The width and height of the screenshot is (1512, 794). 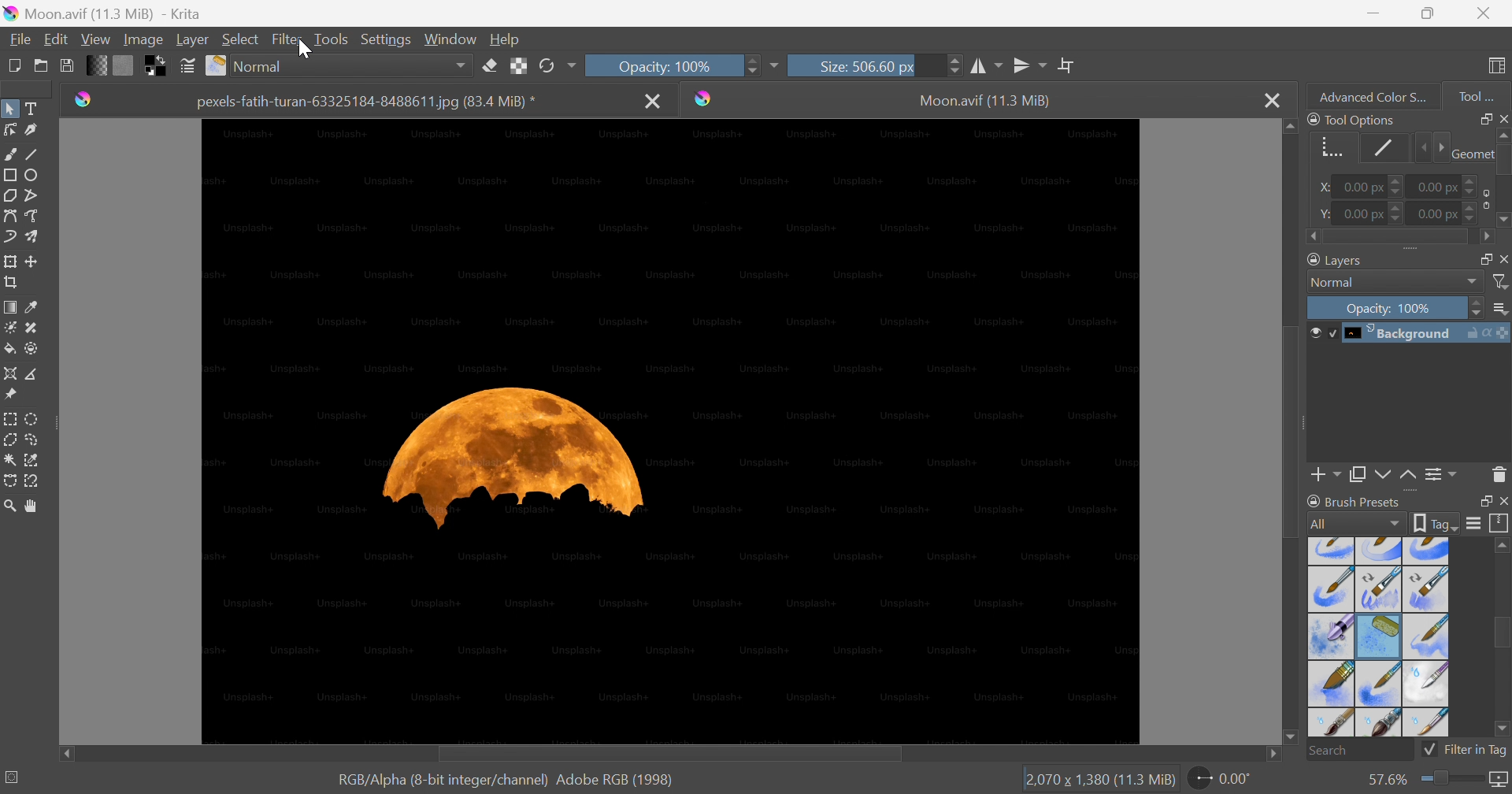 What do you see at coordinates (1442, 477) in the screenshot?
I see `View or change the layer properties` at bounding box center [1442, 477].